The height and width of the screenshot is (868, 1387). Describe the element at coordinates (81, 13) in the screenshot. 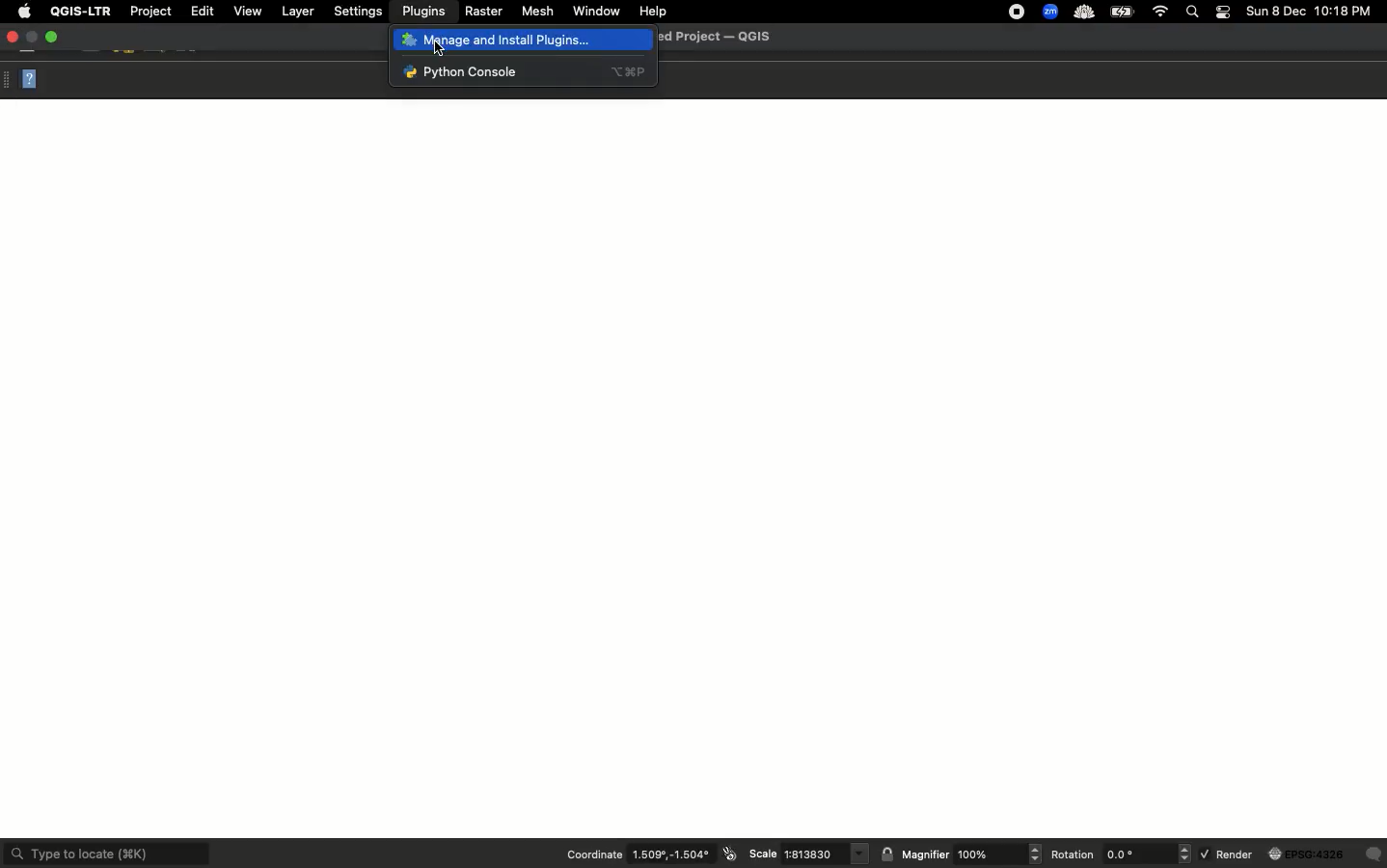

I see `QGIS` at that location.